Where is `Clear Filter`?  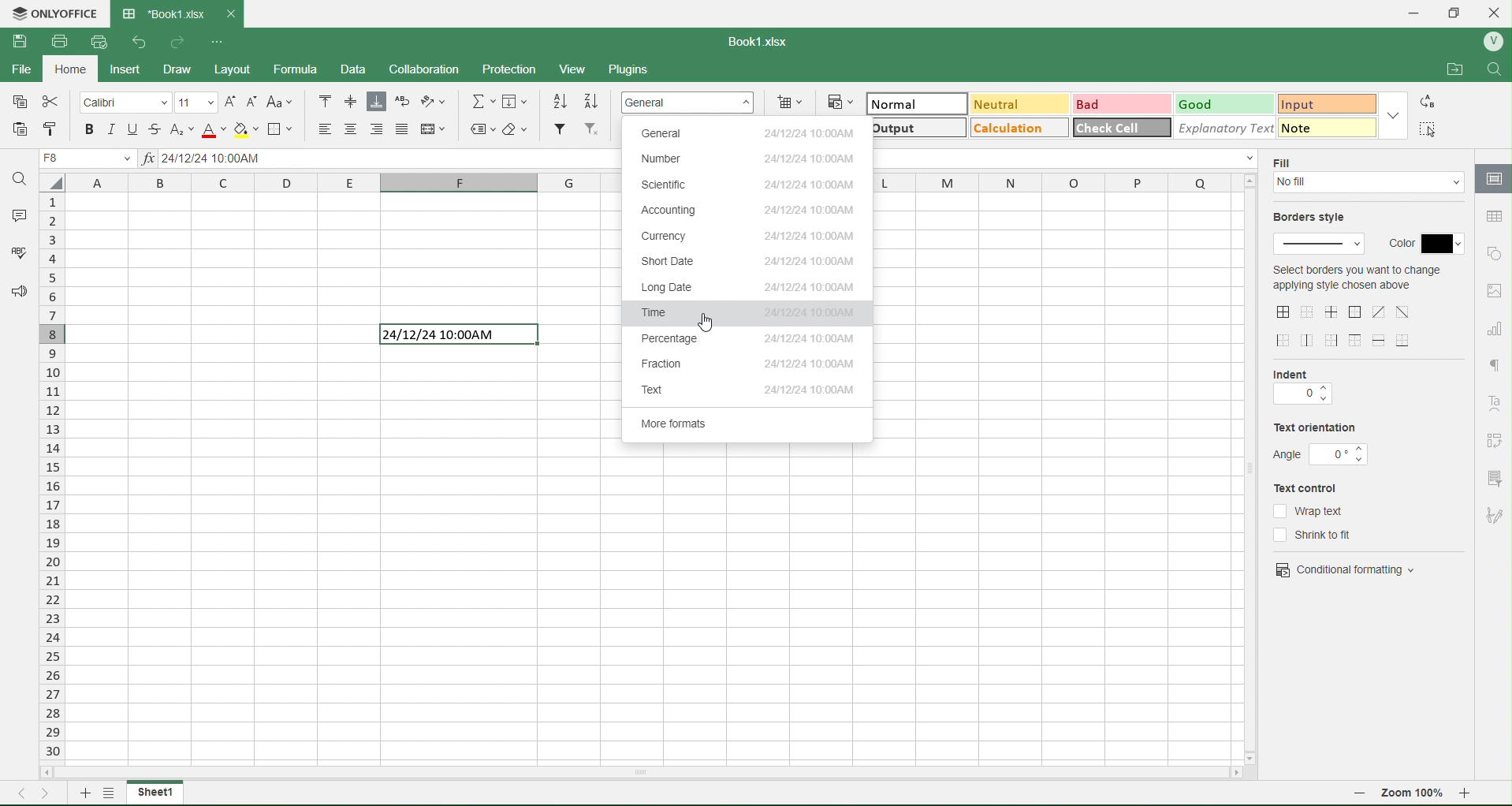
Clear Filter is located at coordinates (592, 130).